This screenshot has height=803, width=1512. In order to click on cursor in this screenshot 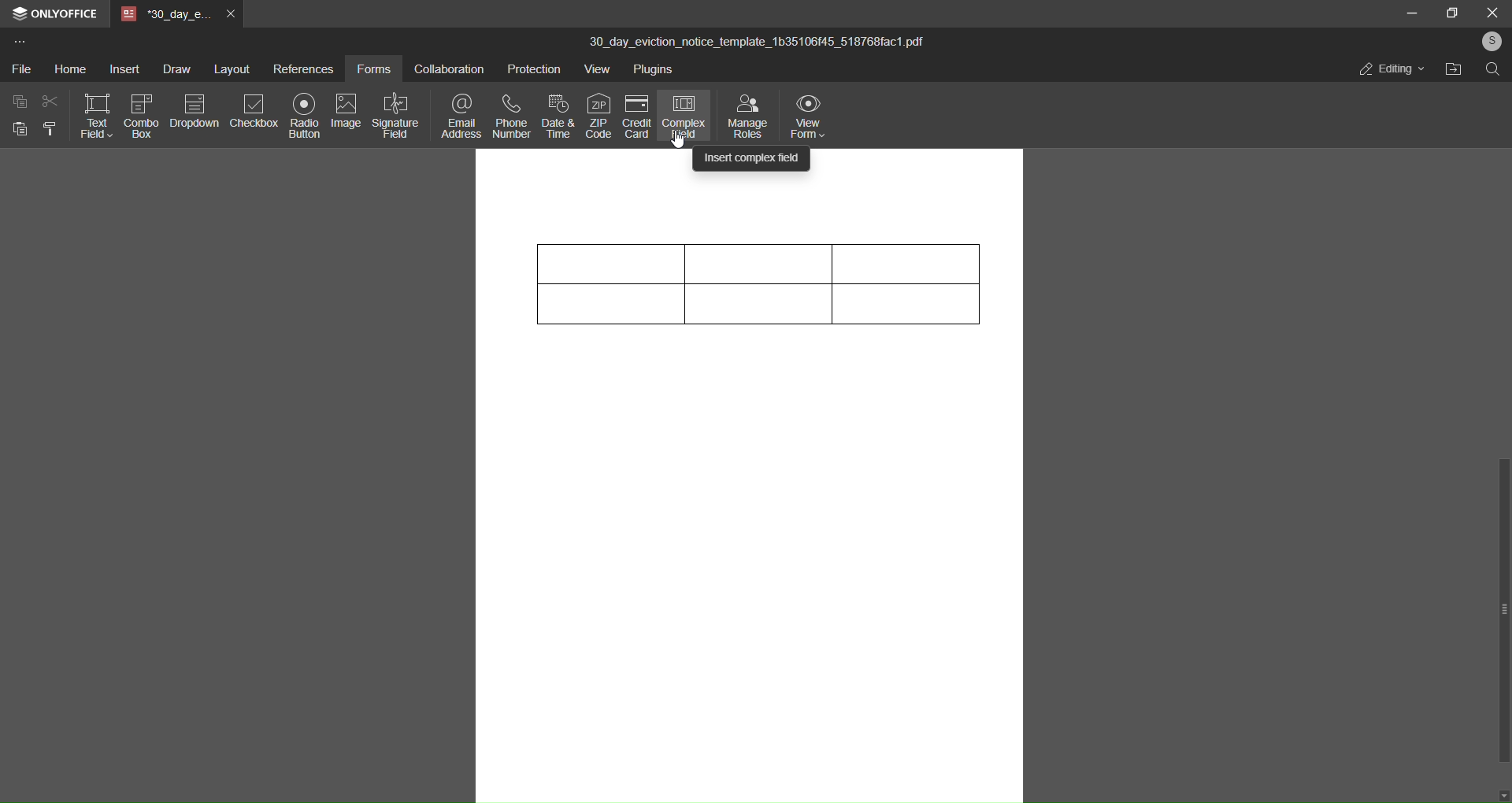, I will do `click(678, 140)`.